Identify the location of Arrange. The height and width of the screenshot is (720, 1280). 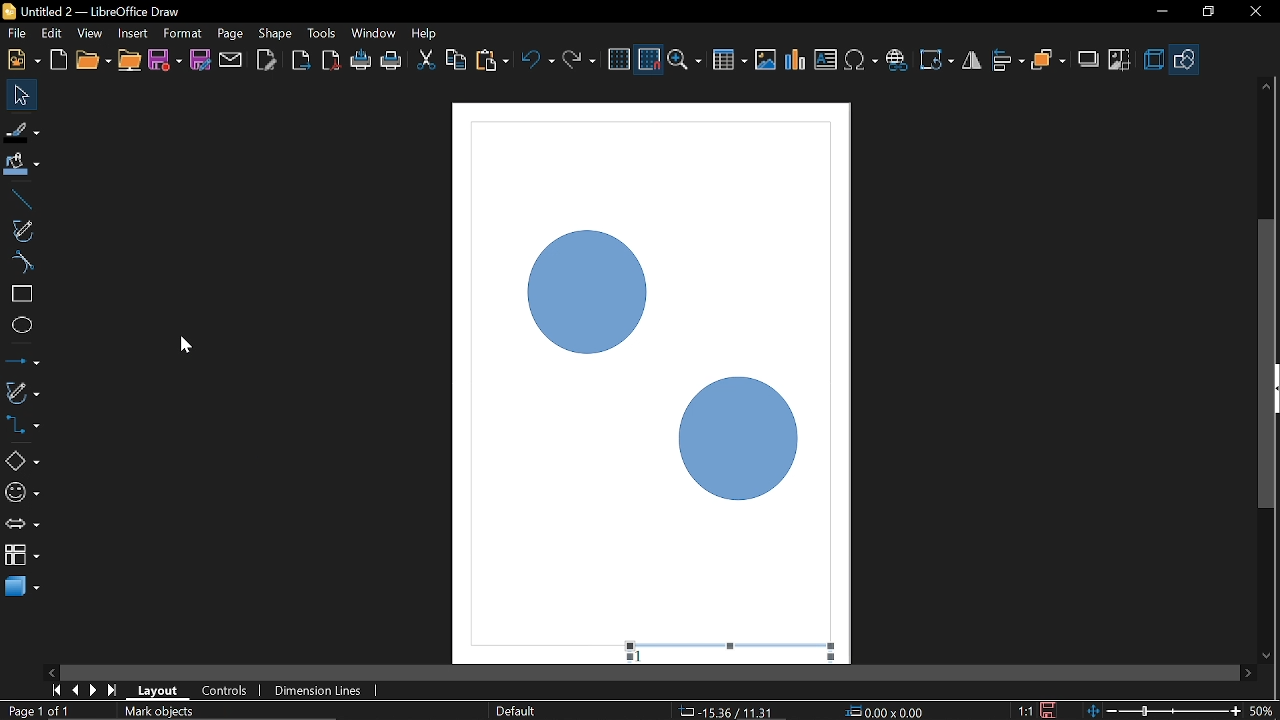
(1048, 61).